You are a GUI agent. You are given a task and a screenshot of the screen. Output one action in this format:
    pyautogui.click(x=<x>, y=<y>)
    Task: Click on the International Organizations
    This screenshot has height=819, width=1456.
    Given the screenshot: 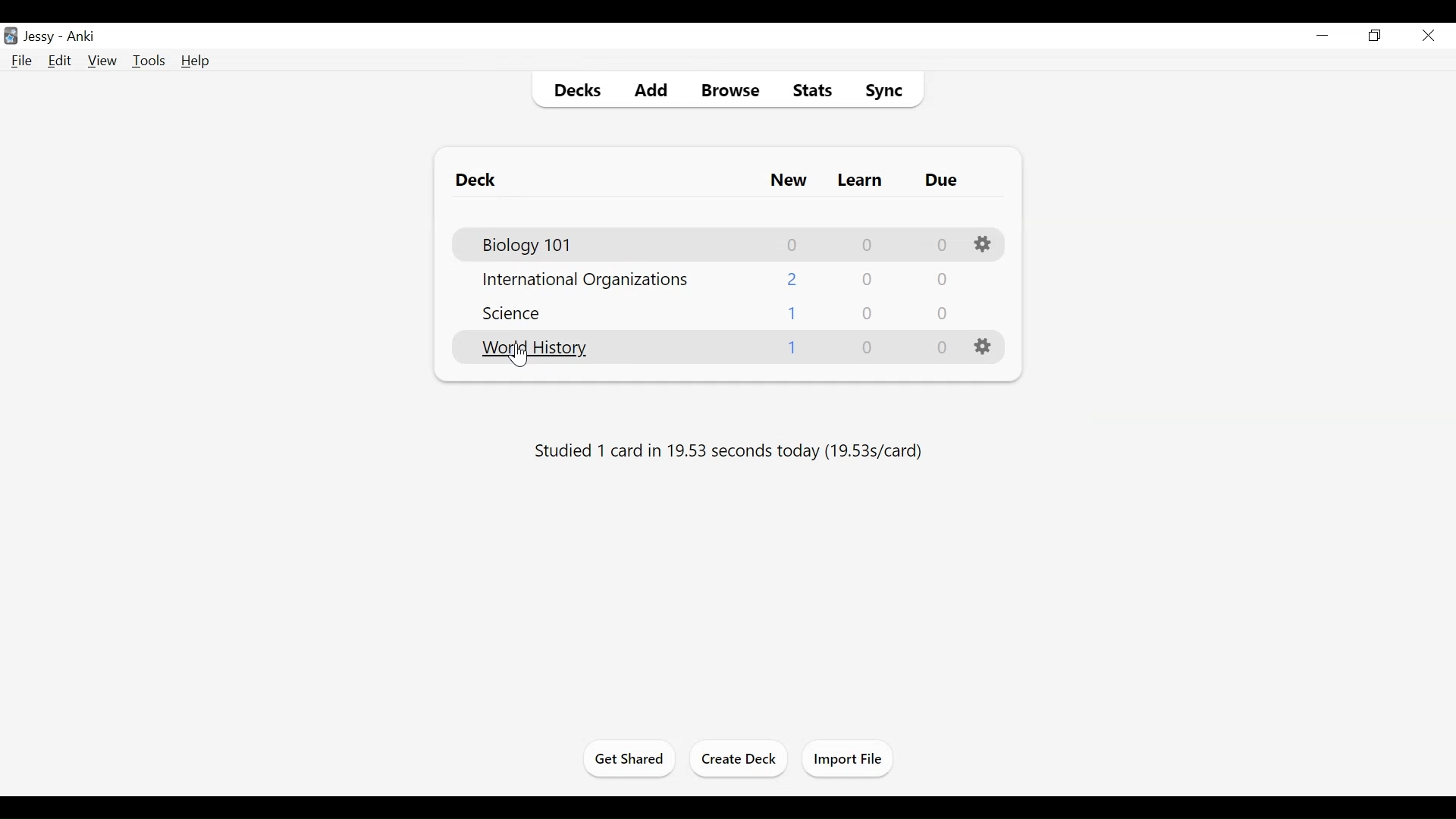 What is the action you would take?
    pyautogui.click(x=585, y=280)
    